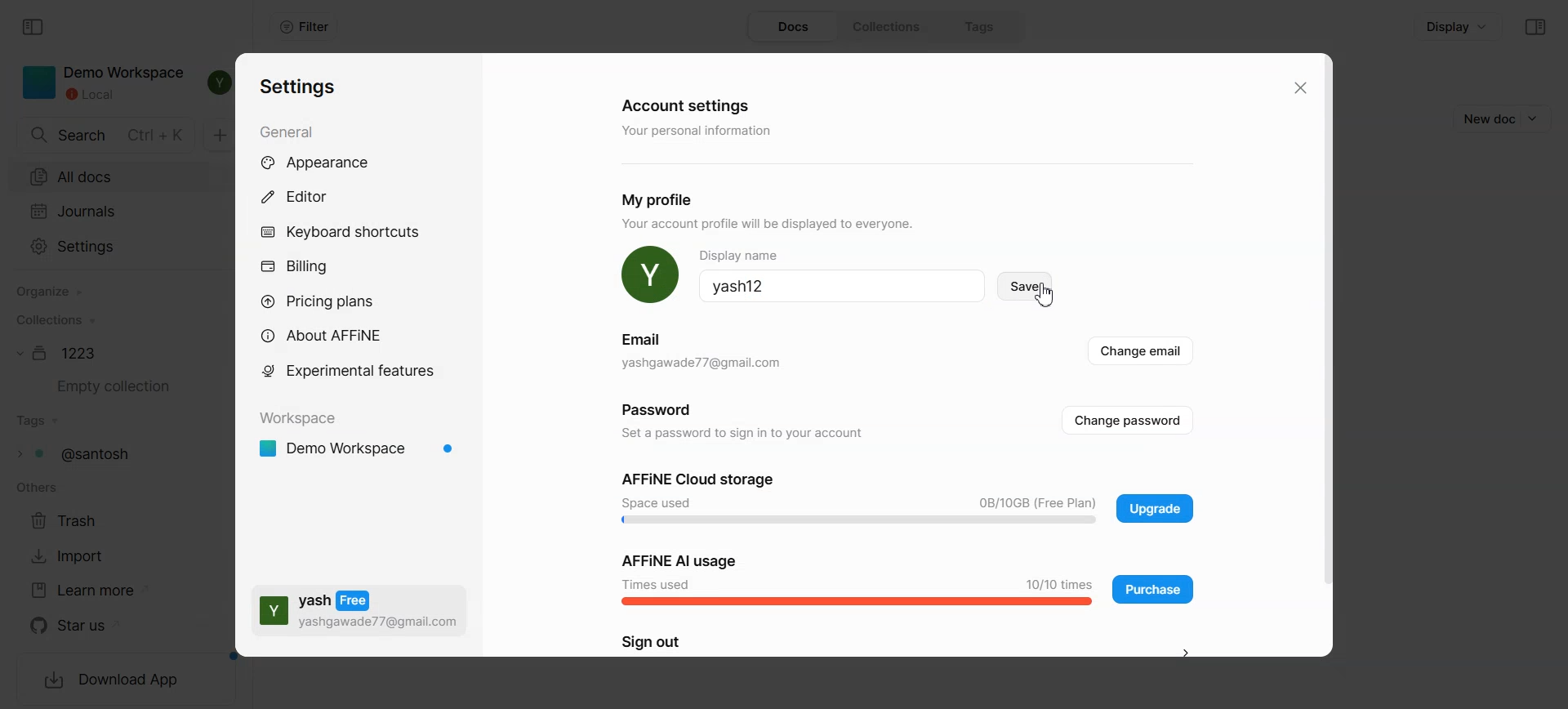 The width and height of the screenshot is (1568, 709). I want to click on Tags, so click(982, 26).